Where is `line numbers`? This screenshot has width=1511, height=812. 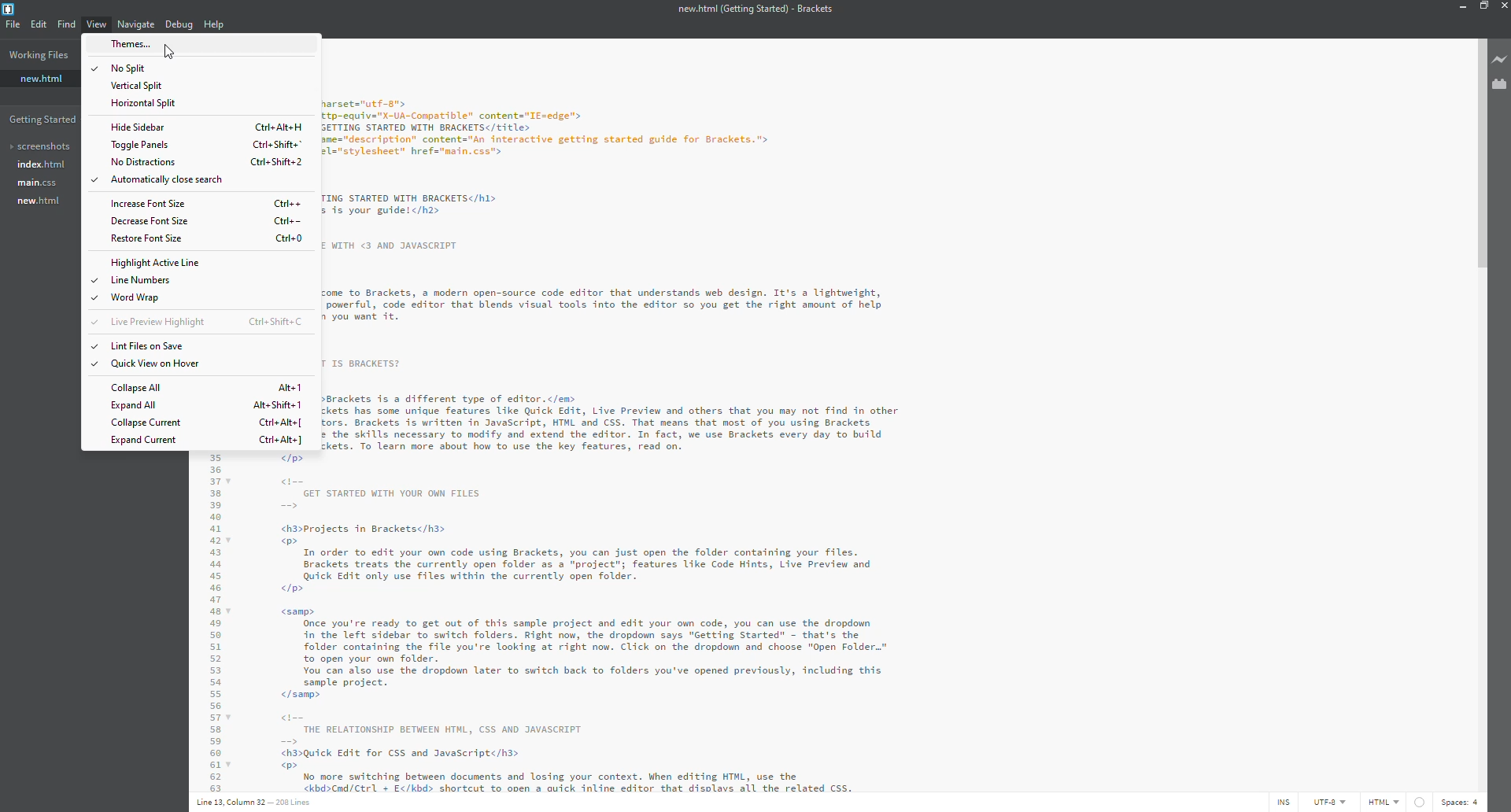
line numbers is located at coordinates (143, 279).